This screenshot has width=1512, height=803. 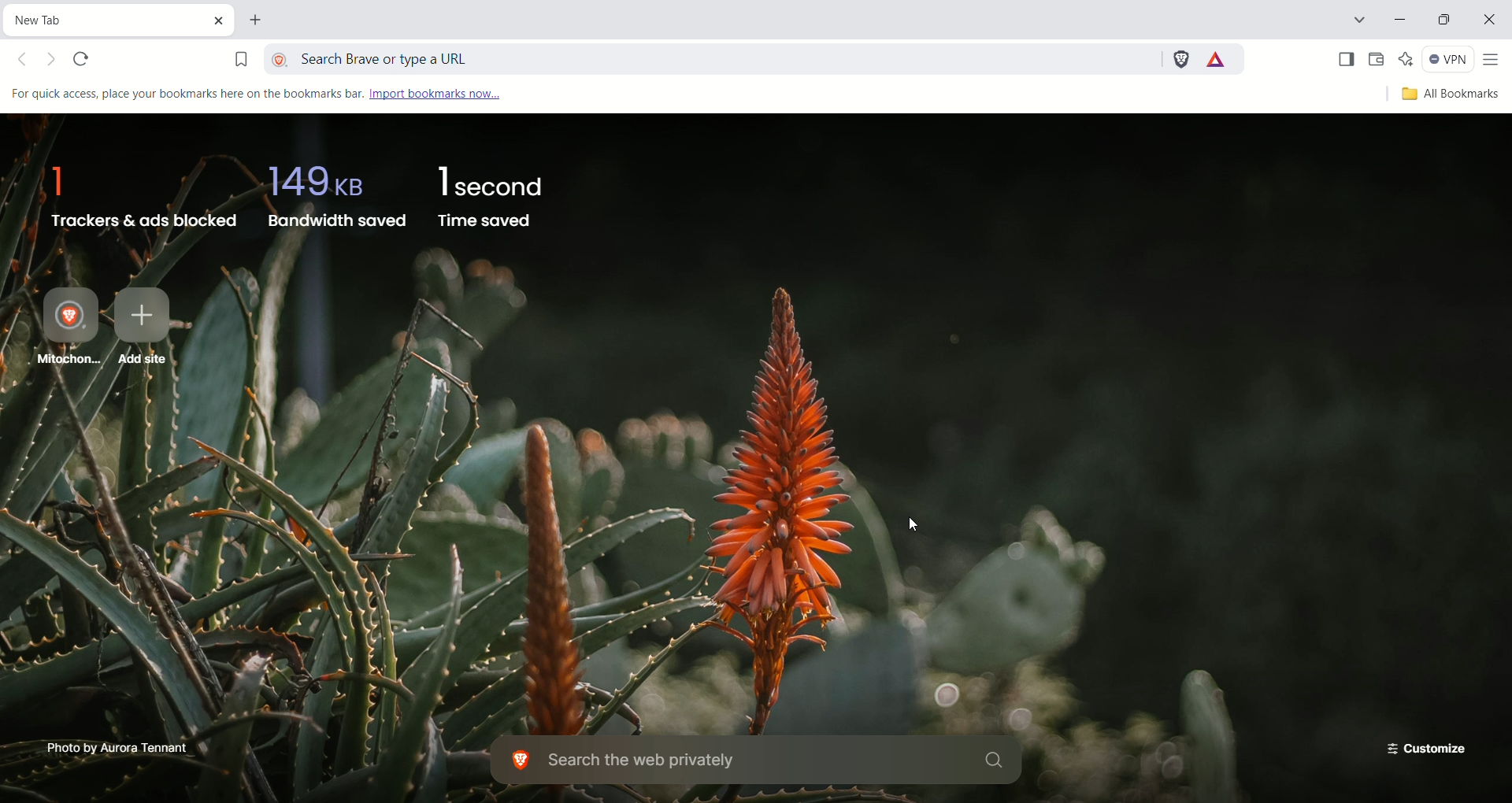 I want to click on close, so click(x=1489, y=22).